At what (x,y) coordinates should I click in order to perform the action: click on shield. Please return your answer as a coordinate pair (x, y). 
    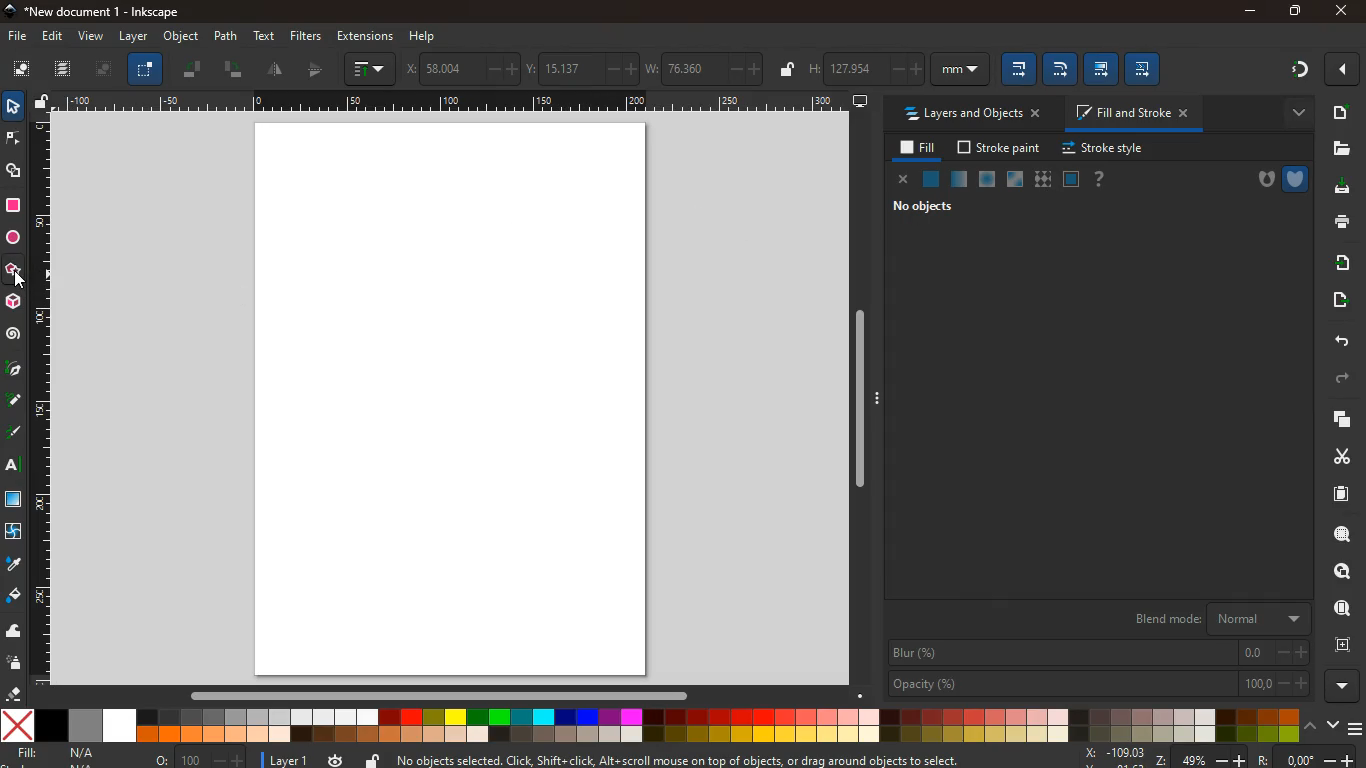
    Looking at the image, I should click on (1297, 179).